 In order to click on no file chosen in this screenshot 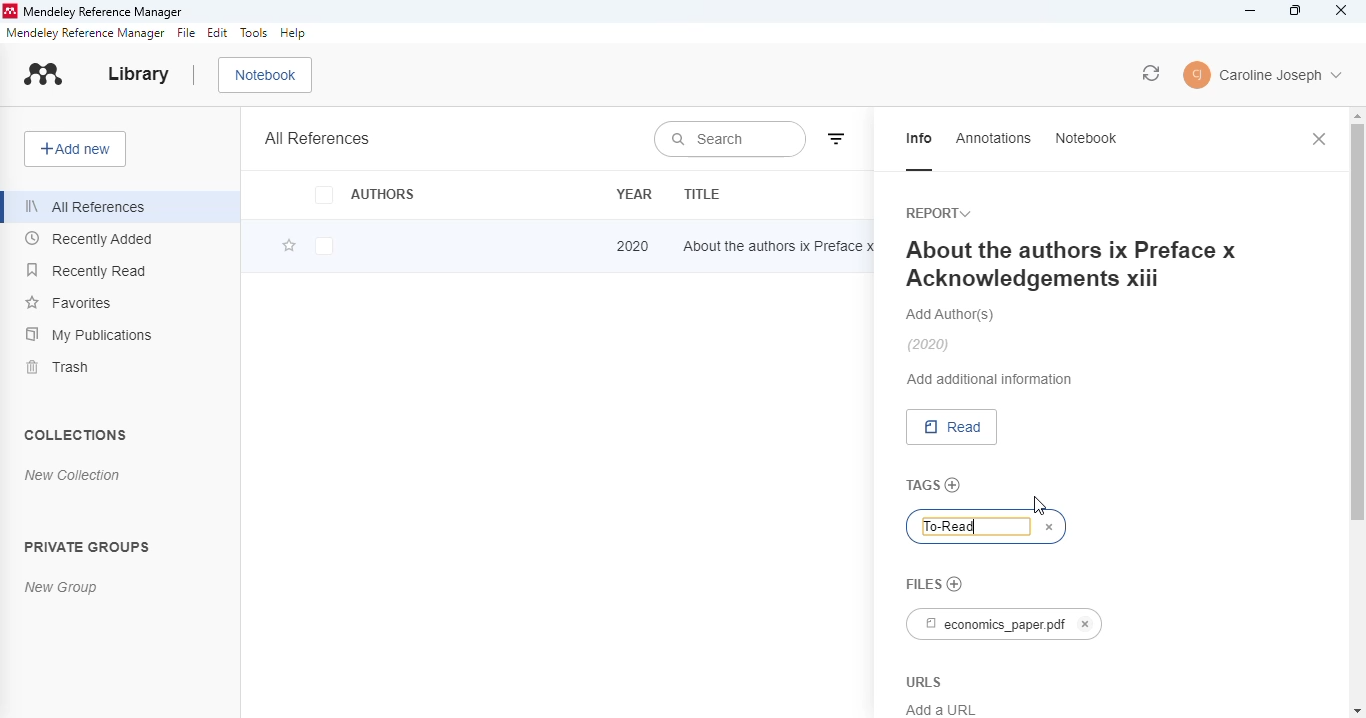, I will do `click(954, 583)`.